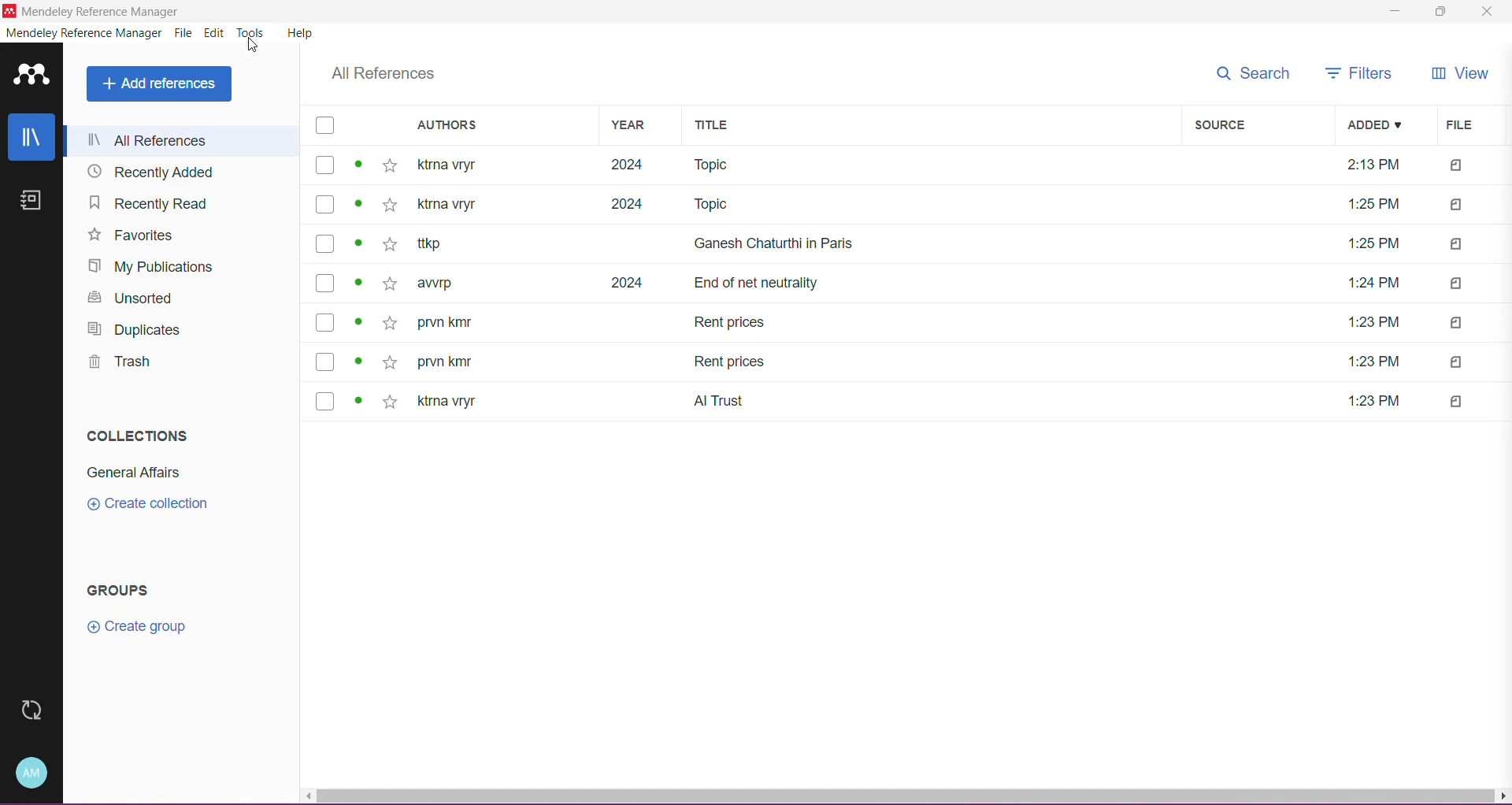  I want to click on Files Added, so click(1451, 164).